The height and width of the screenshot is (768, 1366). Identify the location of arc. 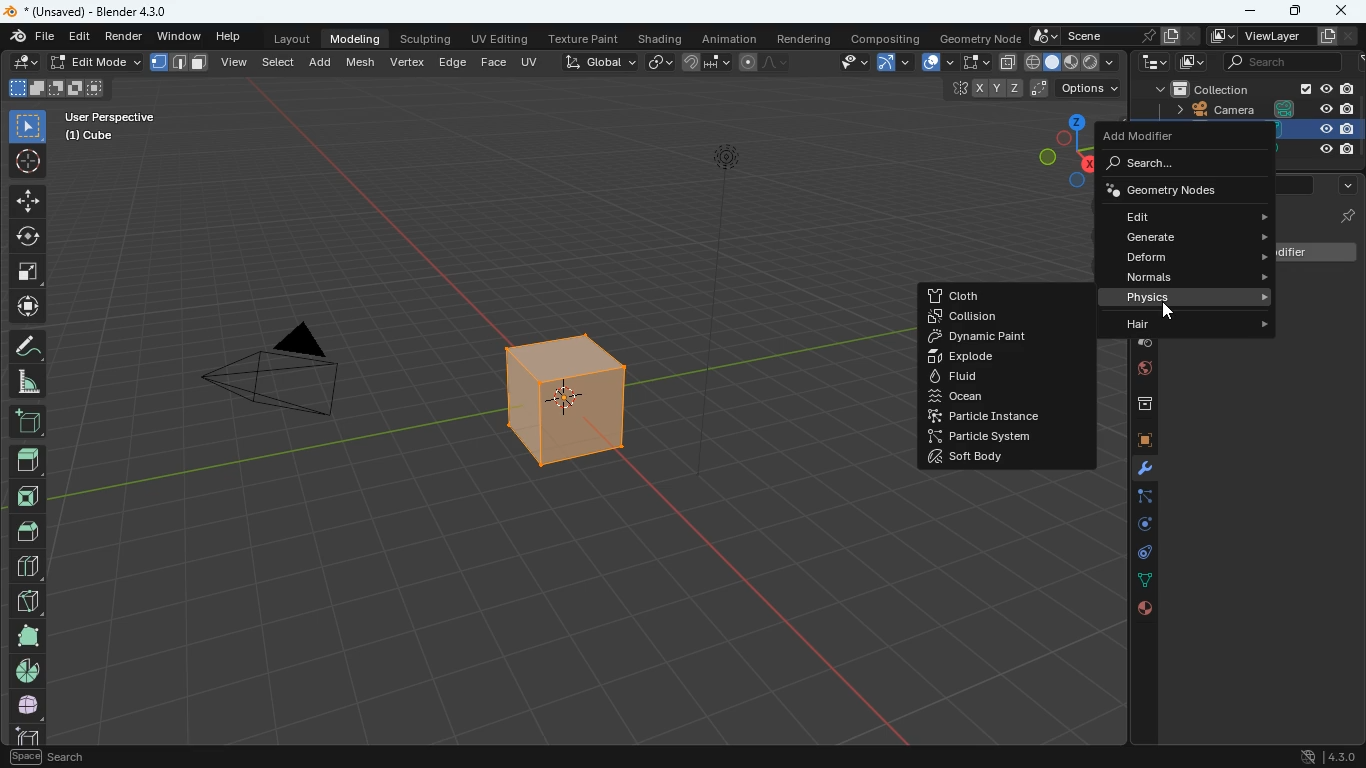
(892, 64).